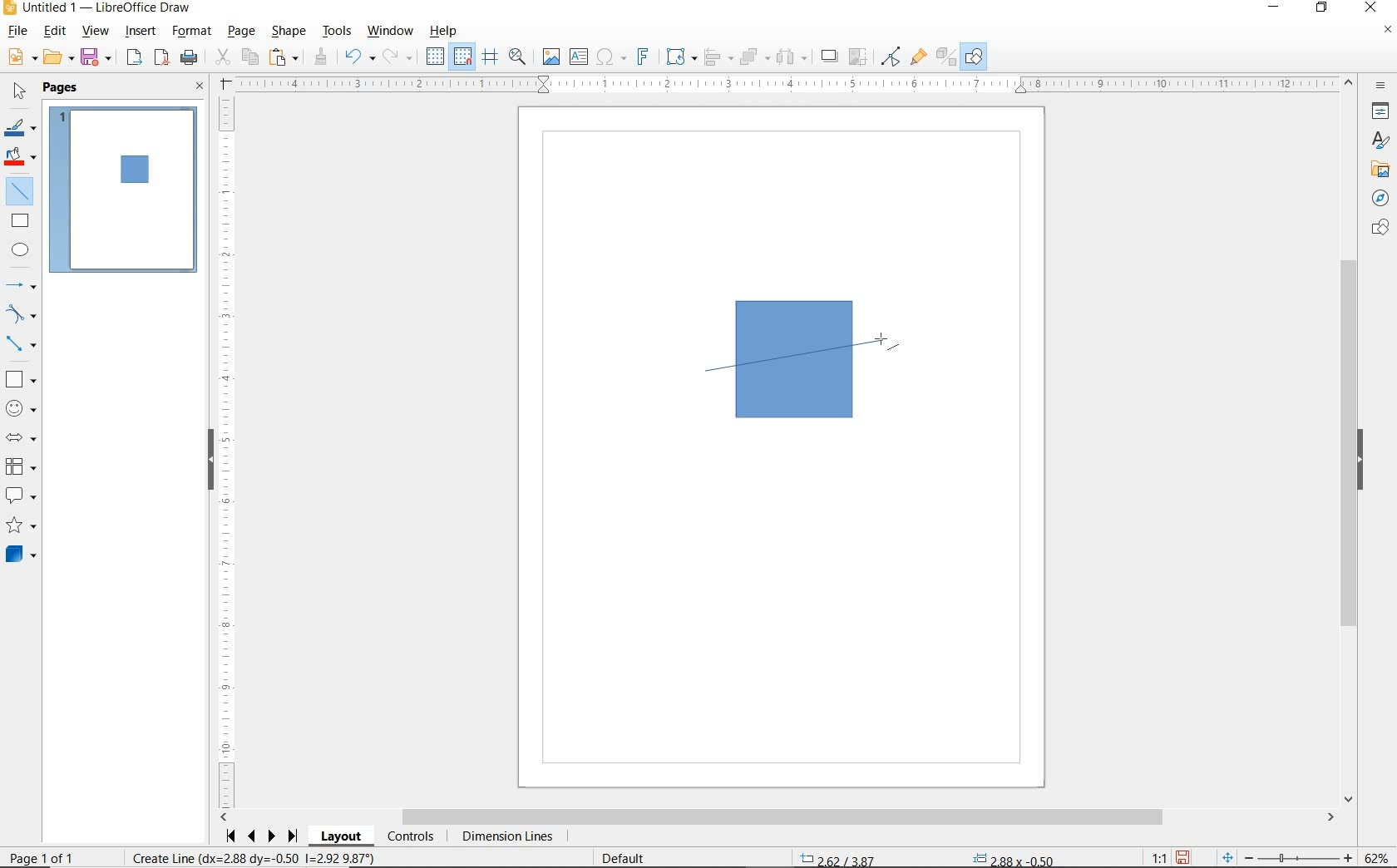  Describe the element at coordinates (21, 57) in the screenshot. I see `NEW` at that location.